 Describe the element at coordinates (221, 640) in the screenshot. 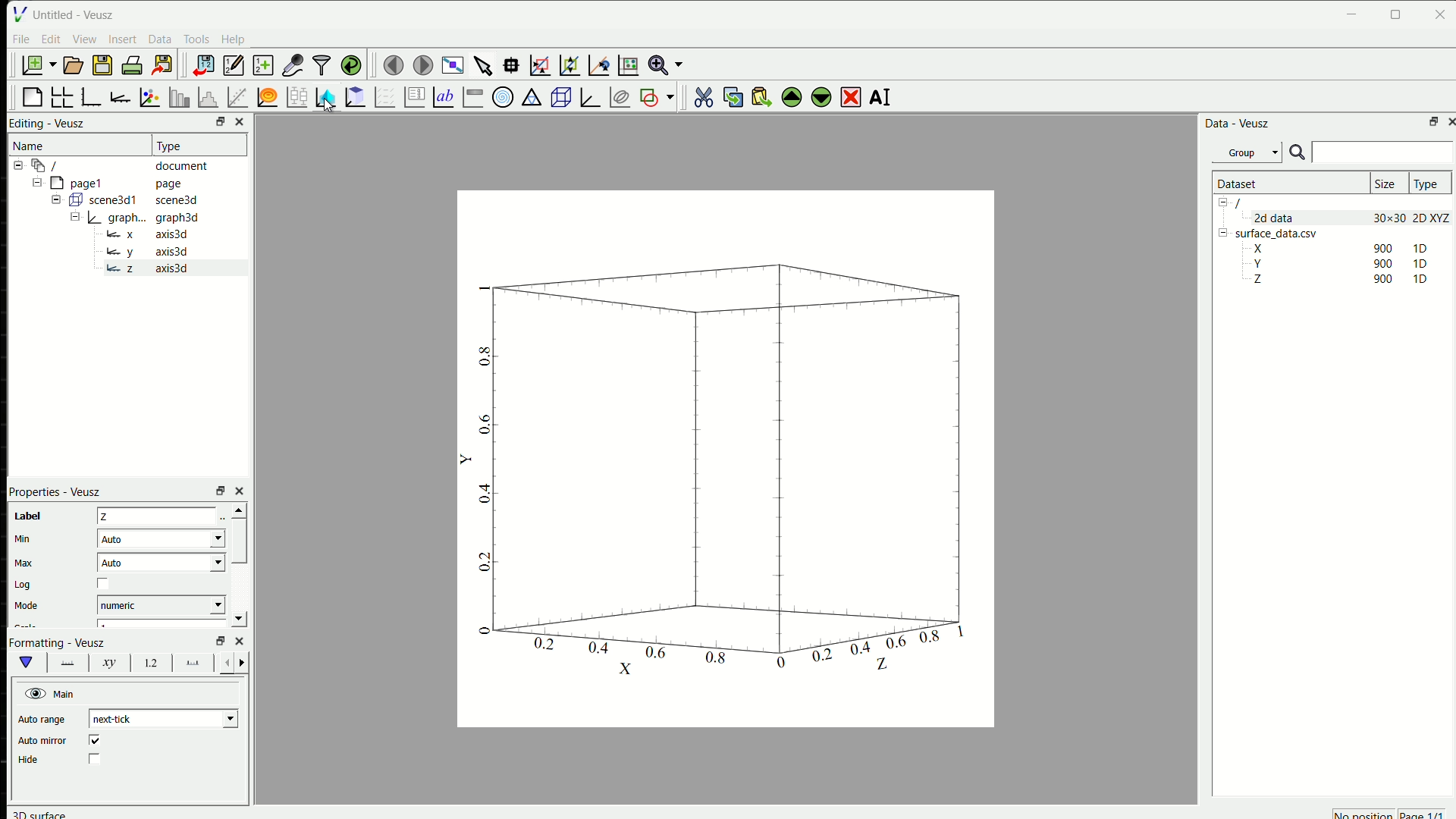

I see `open in separate window` at that location.